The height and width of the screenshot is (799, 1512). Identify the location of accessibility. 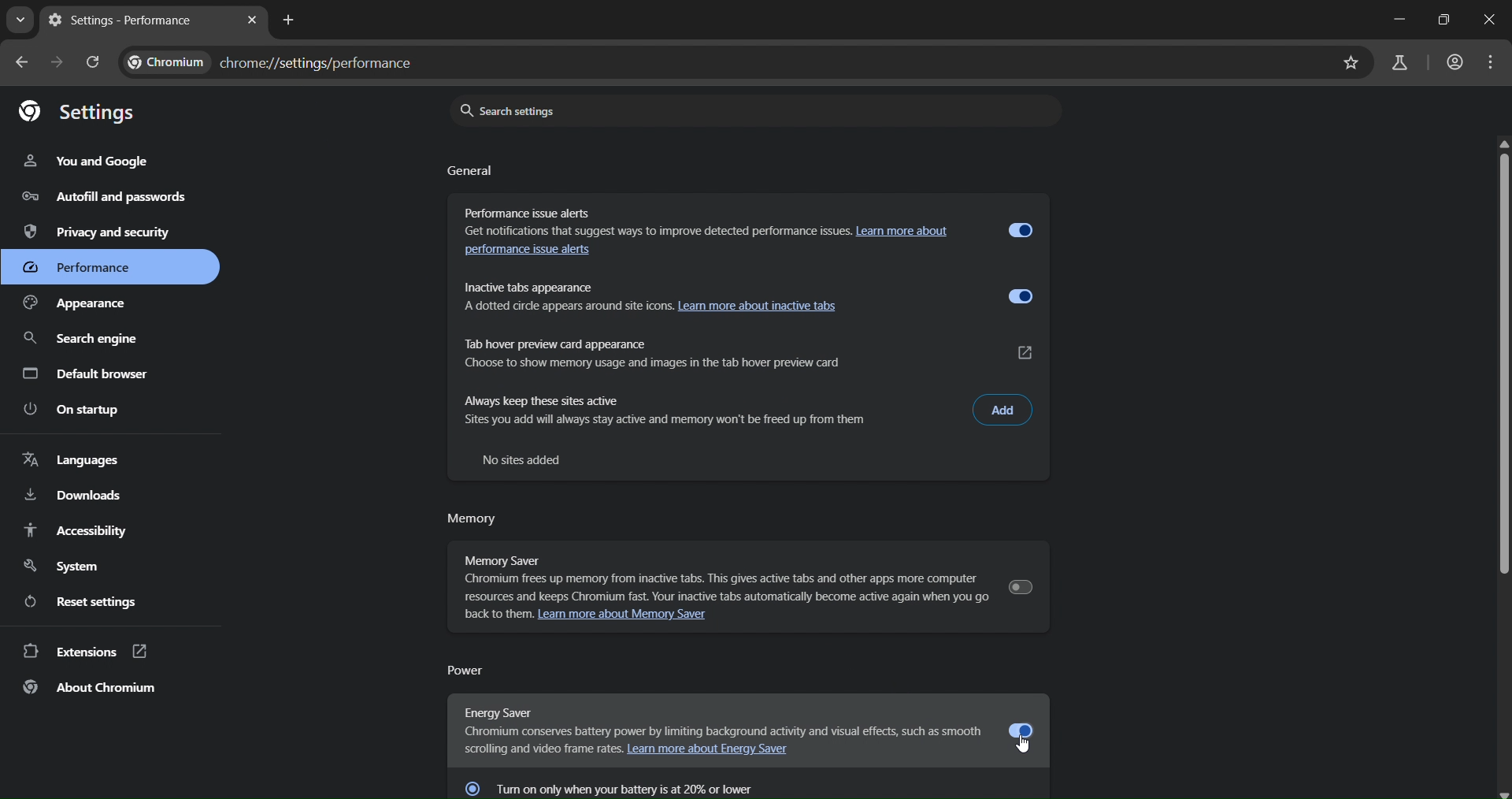
(76, 530).